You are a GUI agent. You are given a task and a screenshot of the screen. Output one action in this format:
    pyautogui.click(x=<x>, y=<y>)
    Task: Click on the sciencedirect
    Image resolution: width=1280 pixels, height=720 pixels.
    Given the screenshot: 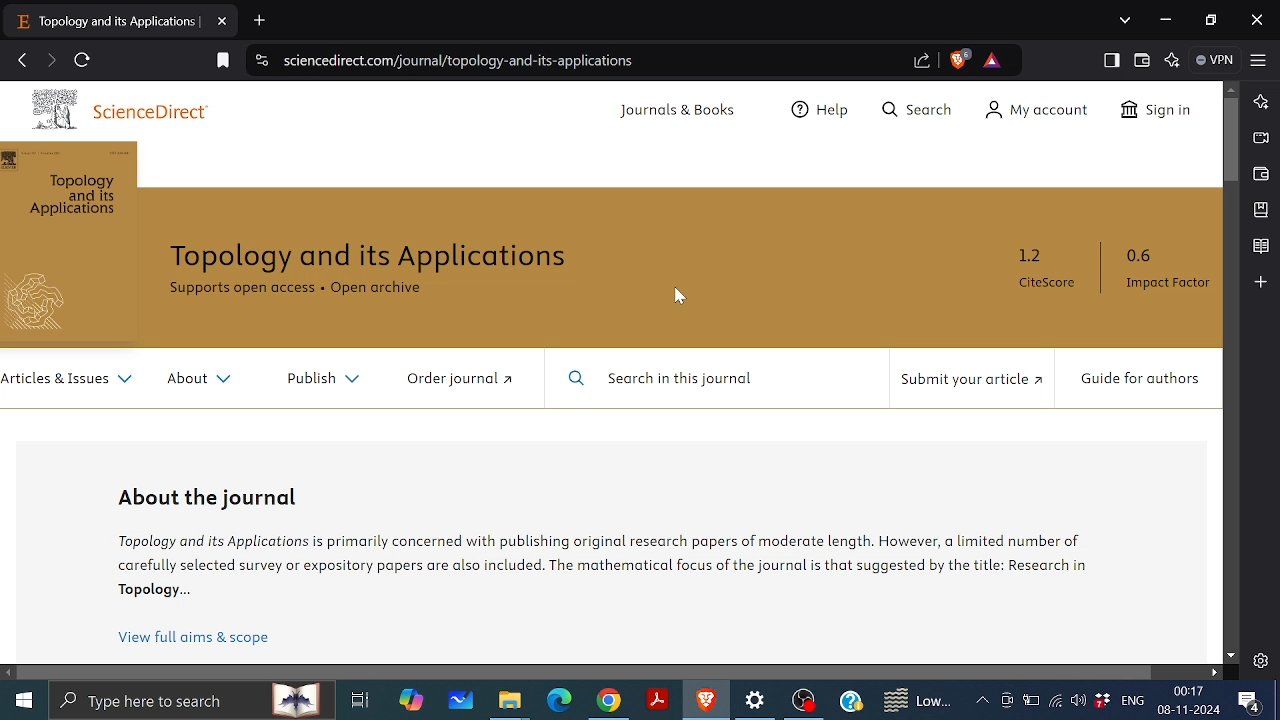 What is the action you would take?
    pyautogui.click(x=112, y=109)
    